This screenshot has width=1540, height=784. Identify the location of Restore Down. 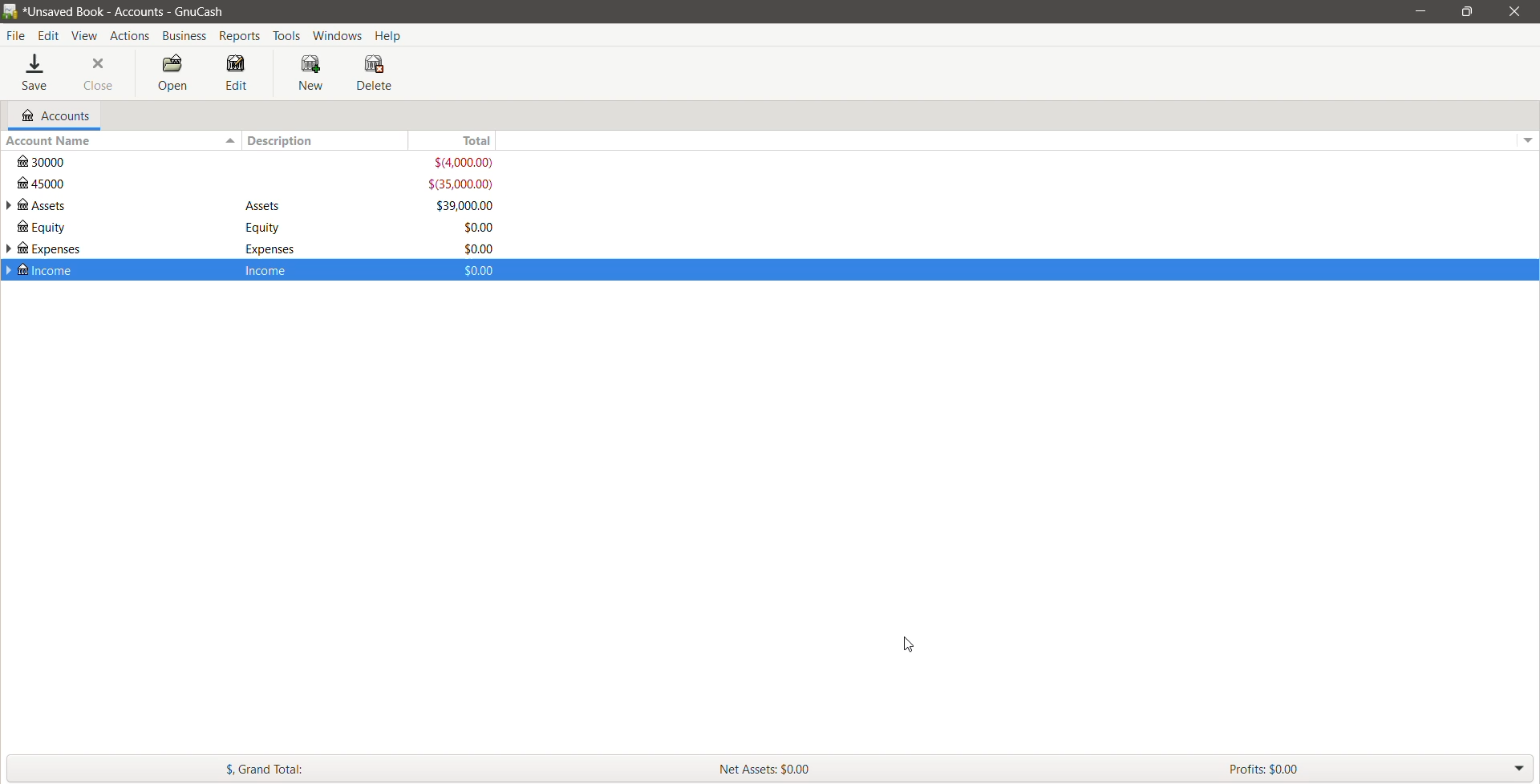
(1467, 12).